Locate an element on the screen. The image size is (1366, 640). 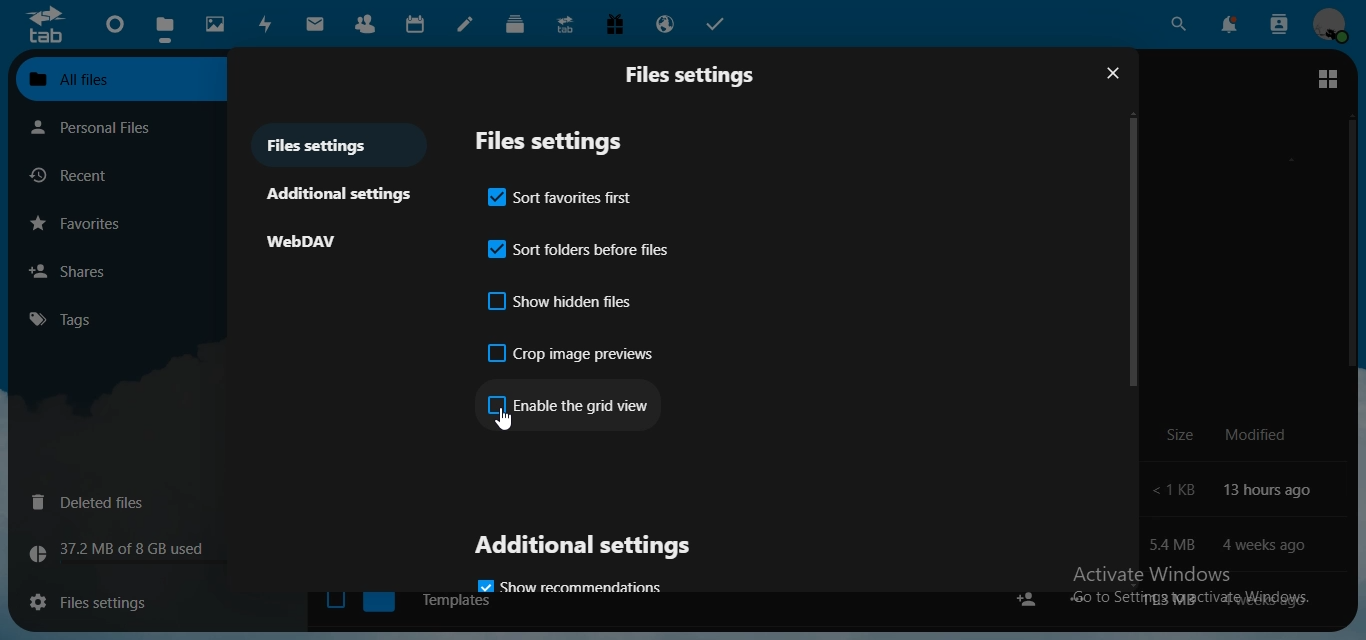
additional settings is located at coordinates (345, 194).